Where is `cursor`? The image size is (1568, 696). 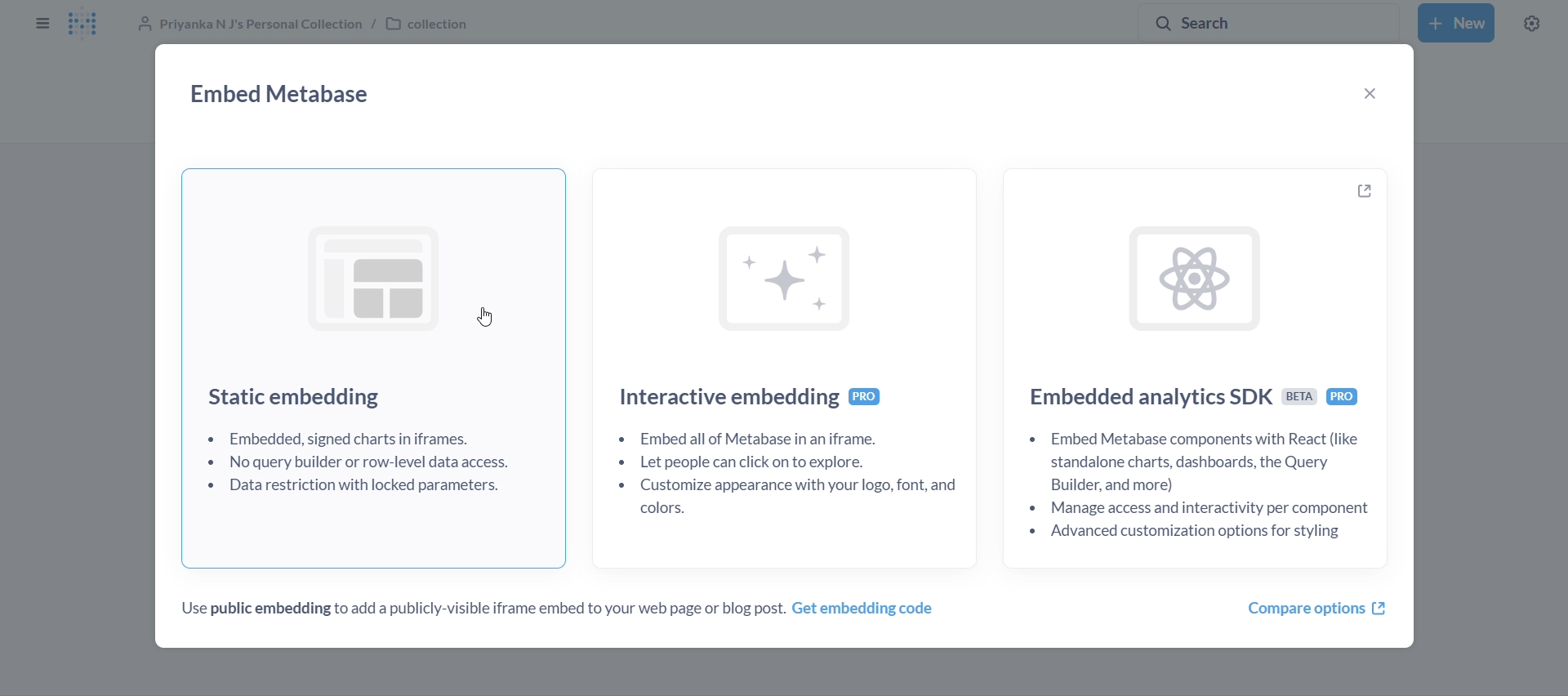 cursor is located at coordinates (487, 317).